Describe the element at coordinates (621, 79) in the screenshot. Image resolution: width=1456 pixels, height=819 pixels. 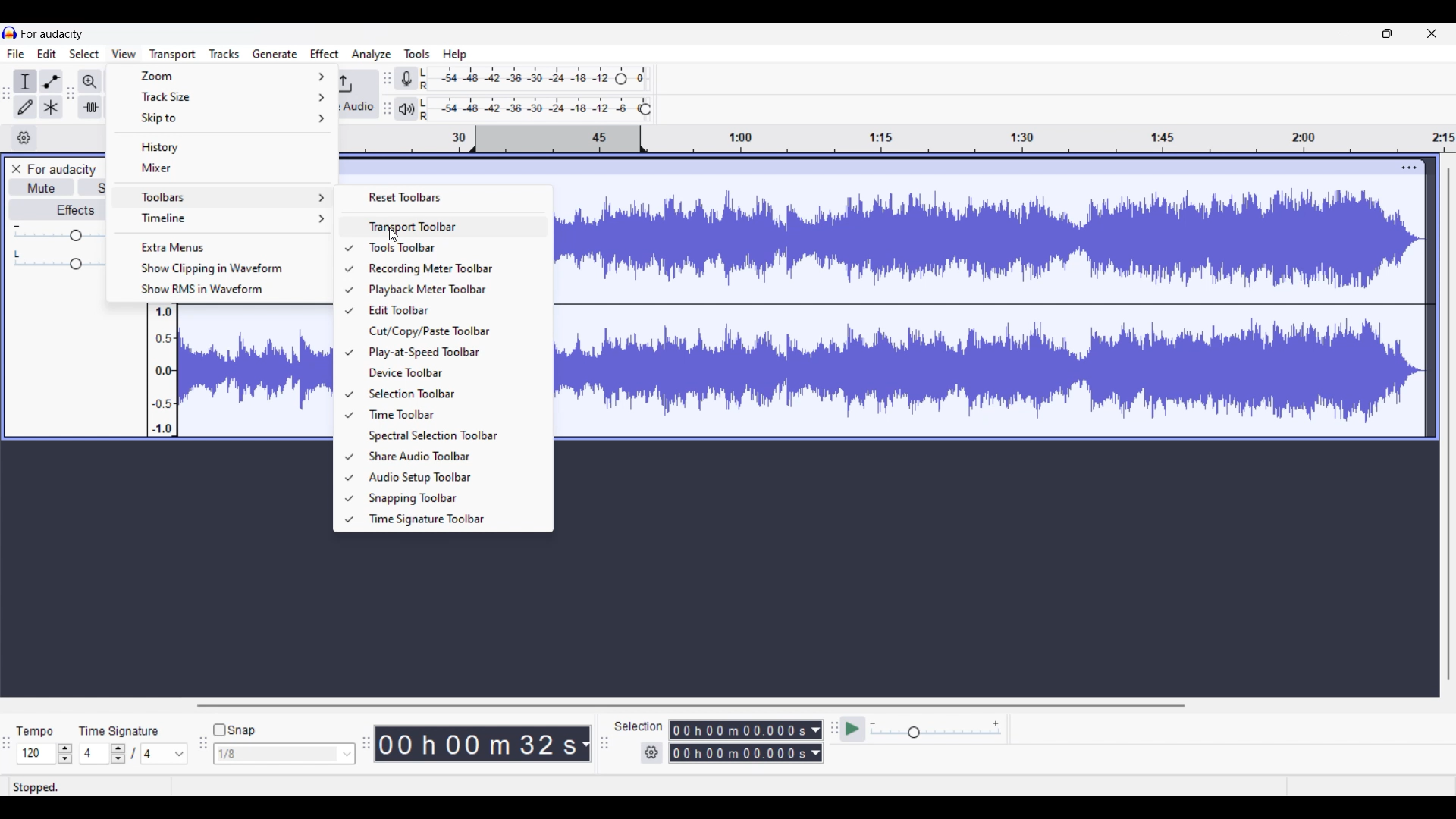
I see `Header to change recording level` at that location.